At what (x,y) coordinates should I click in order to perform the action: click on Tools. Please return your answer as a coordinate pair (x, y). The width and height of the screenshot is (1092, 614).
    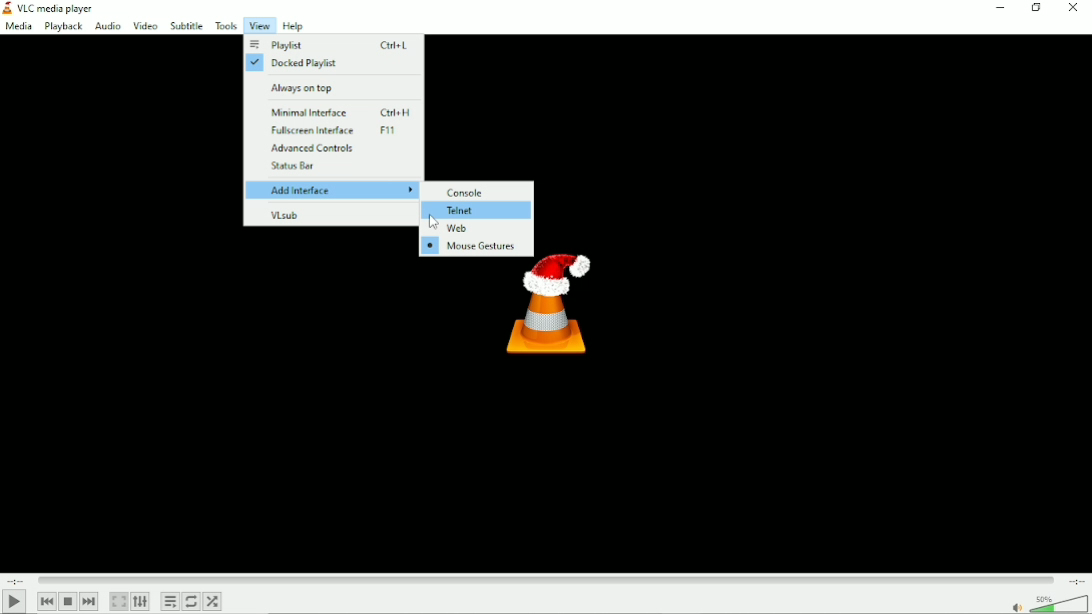
    Looking at the image, I should click on (226, 26).